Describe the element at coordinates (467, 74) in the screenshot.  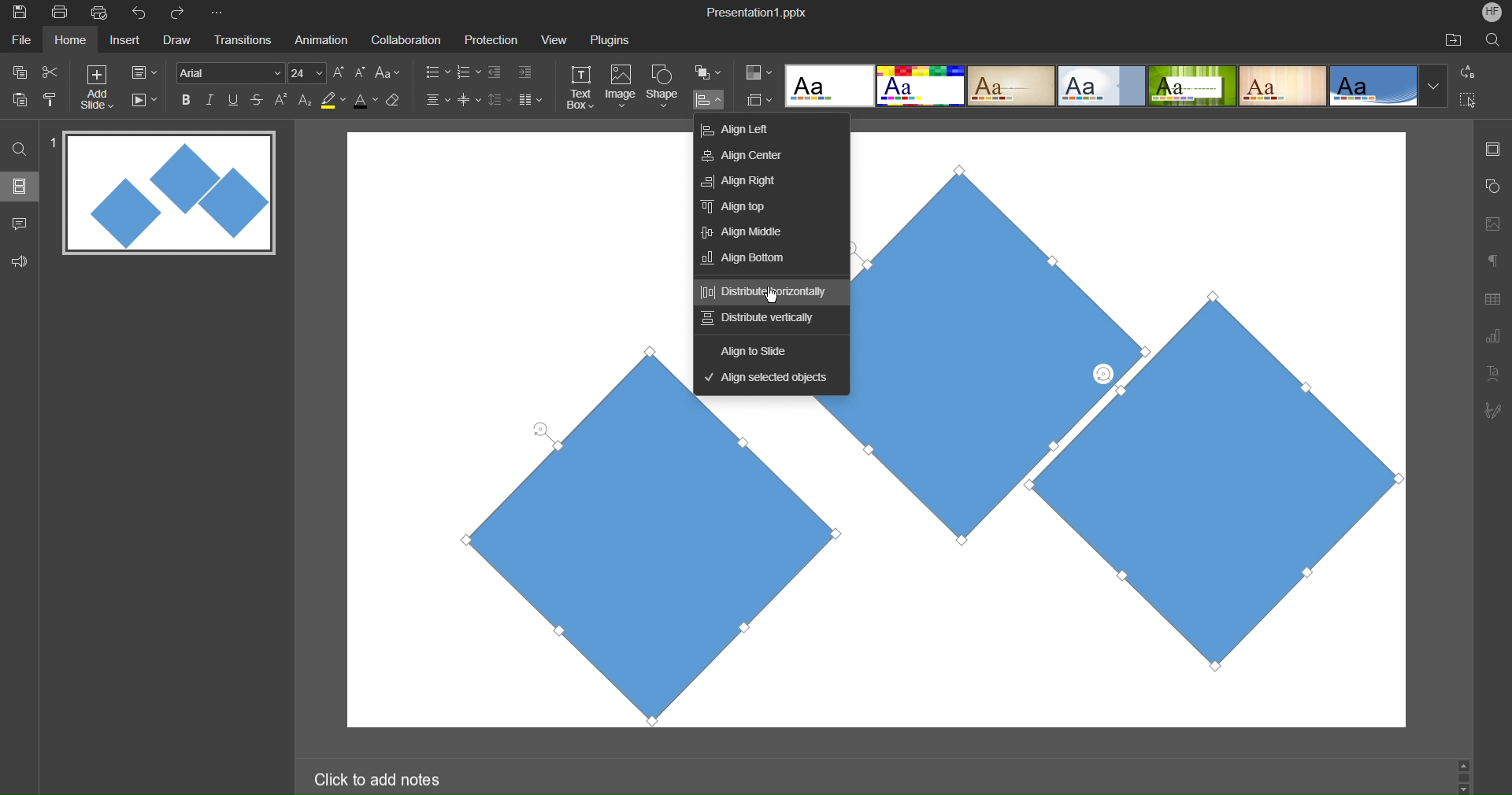
I see `Number List` at that location.